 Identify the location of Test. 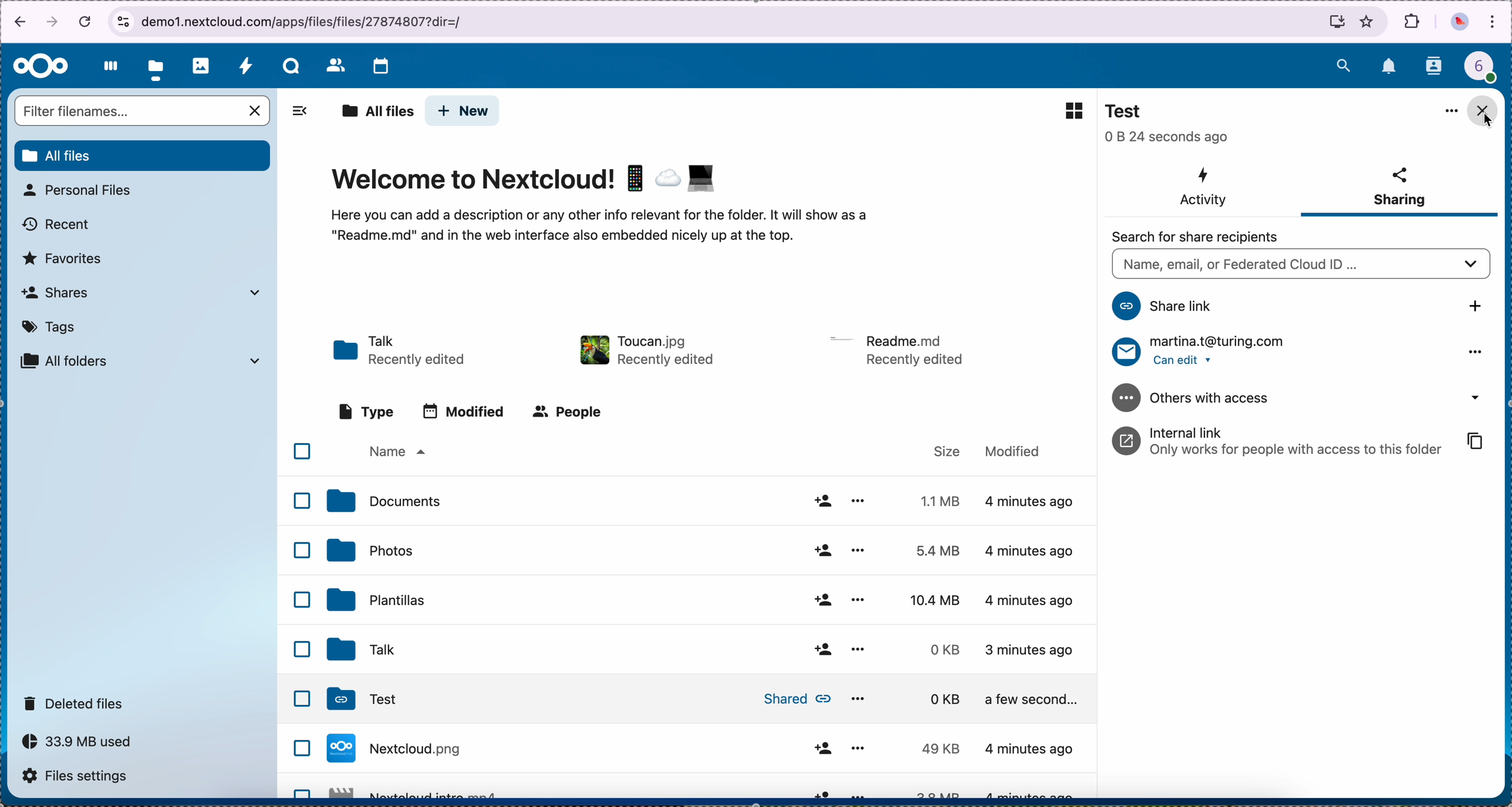
(1129, 112).